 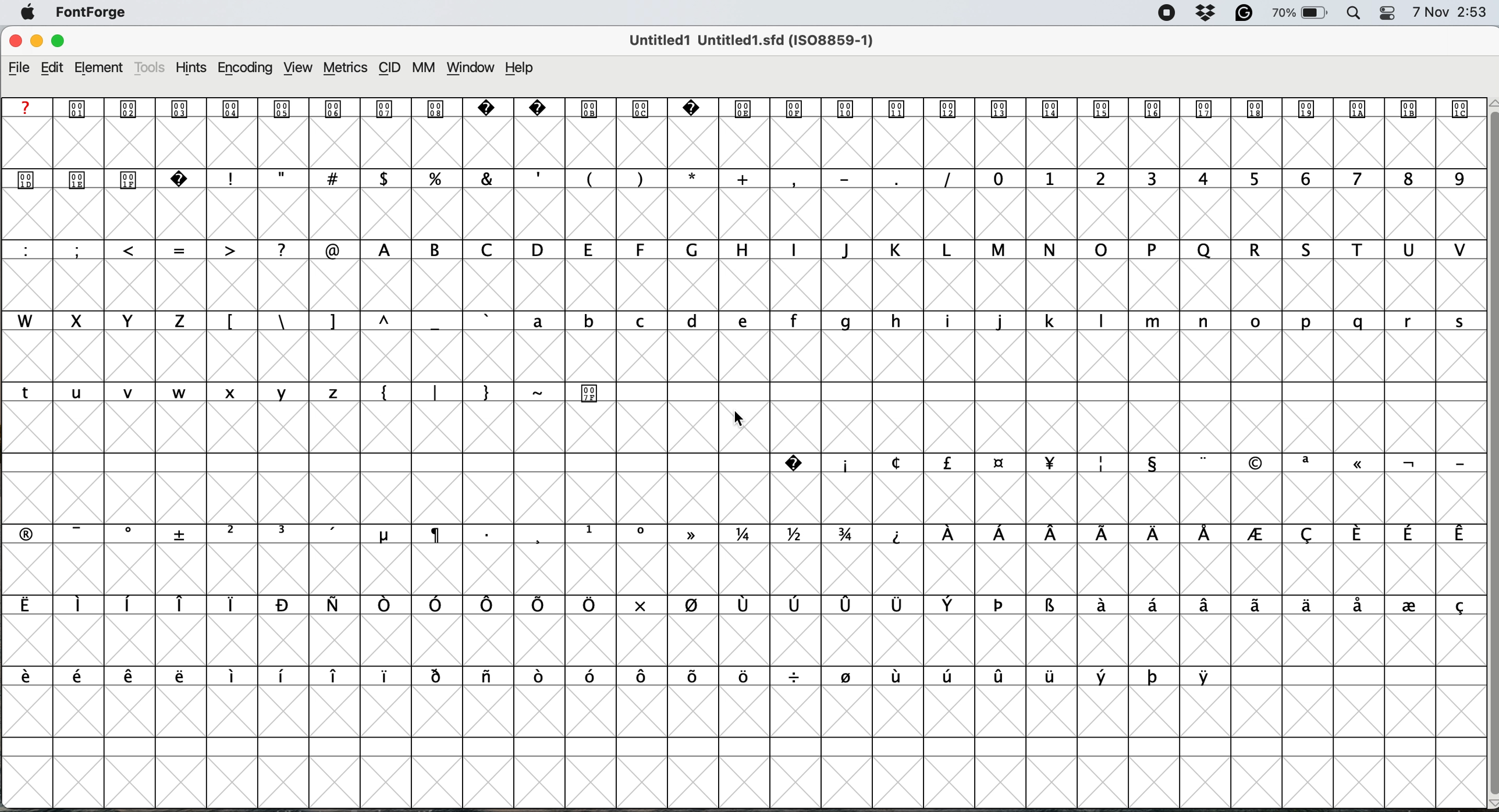 I want to click on hints, so click(x=192, y=69).